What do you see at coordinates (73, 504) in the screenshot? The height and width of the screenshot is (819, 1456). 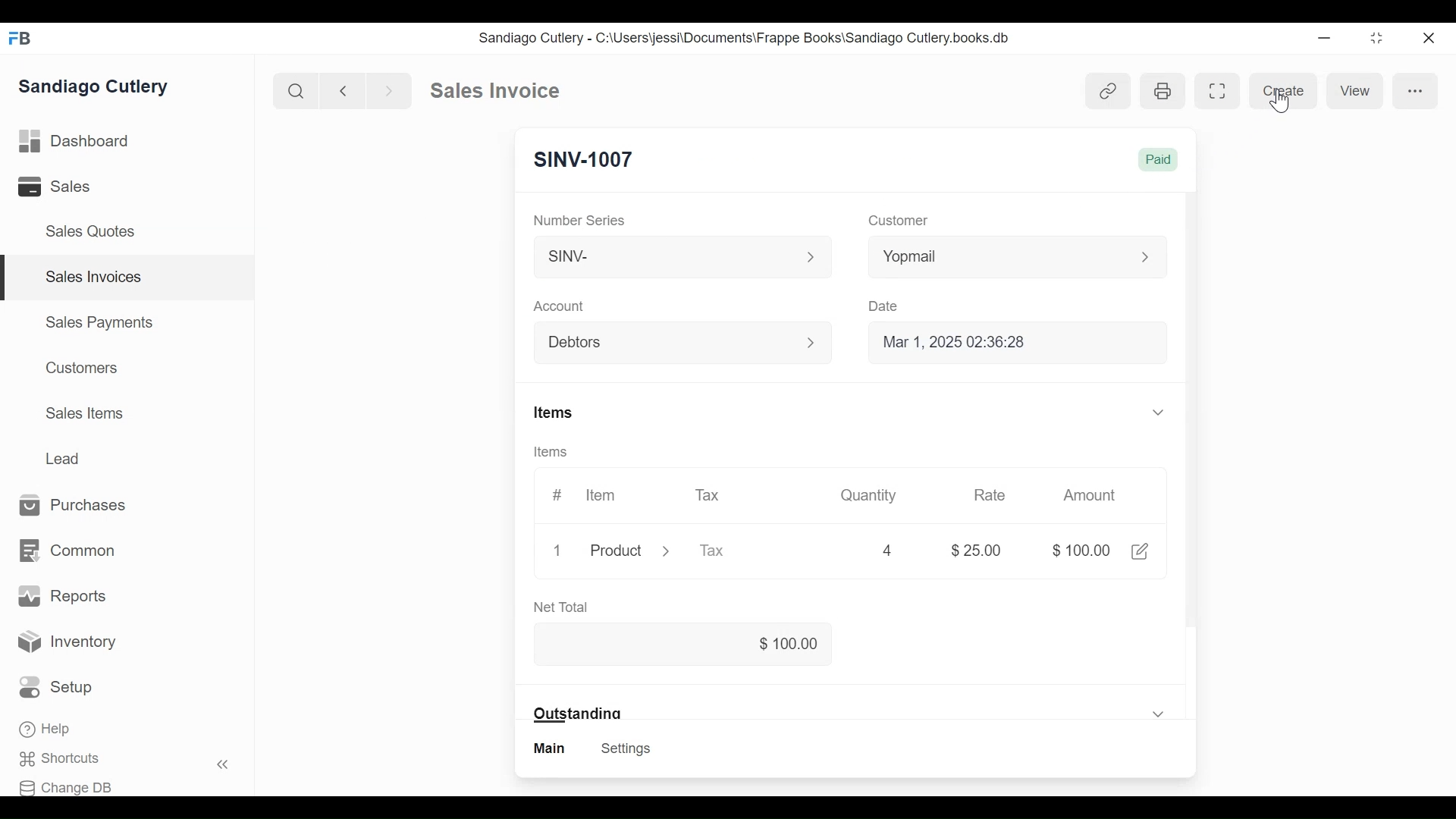 I see `Purchases` at bounding box center [73, 504].